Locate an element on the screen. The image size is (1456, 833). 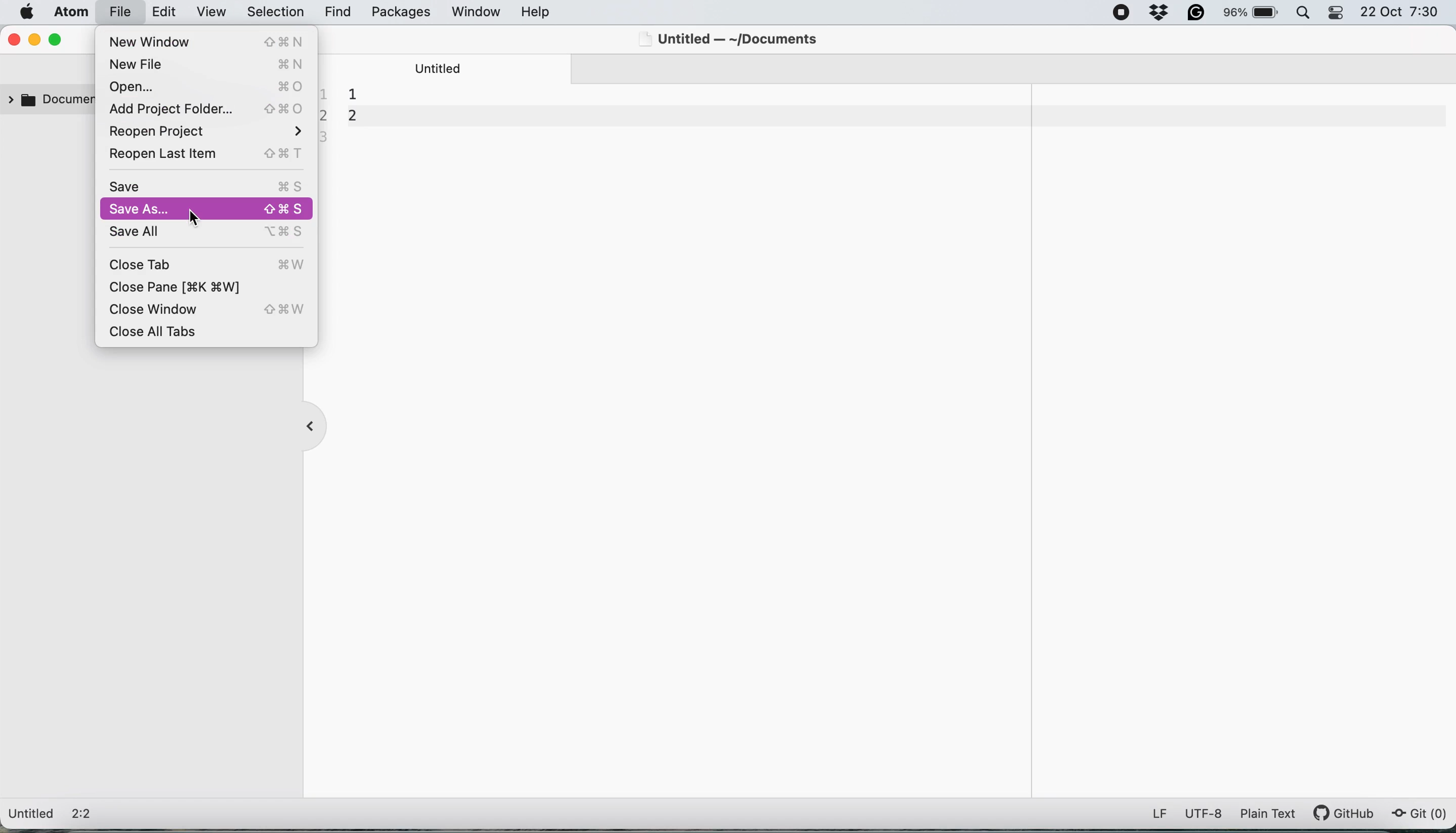
battery is located at coordinates (1248, 13).